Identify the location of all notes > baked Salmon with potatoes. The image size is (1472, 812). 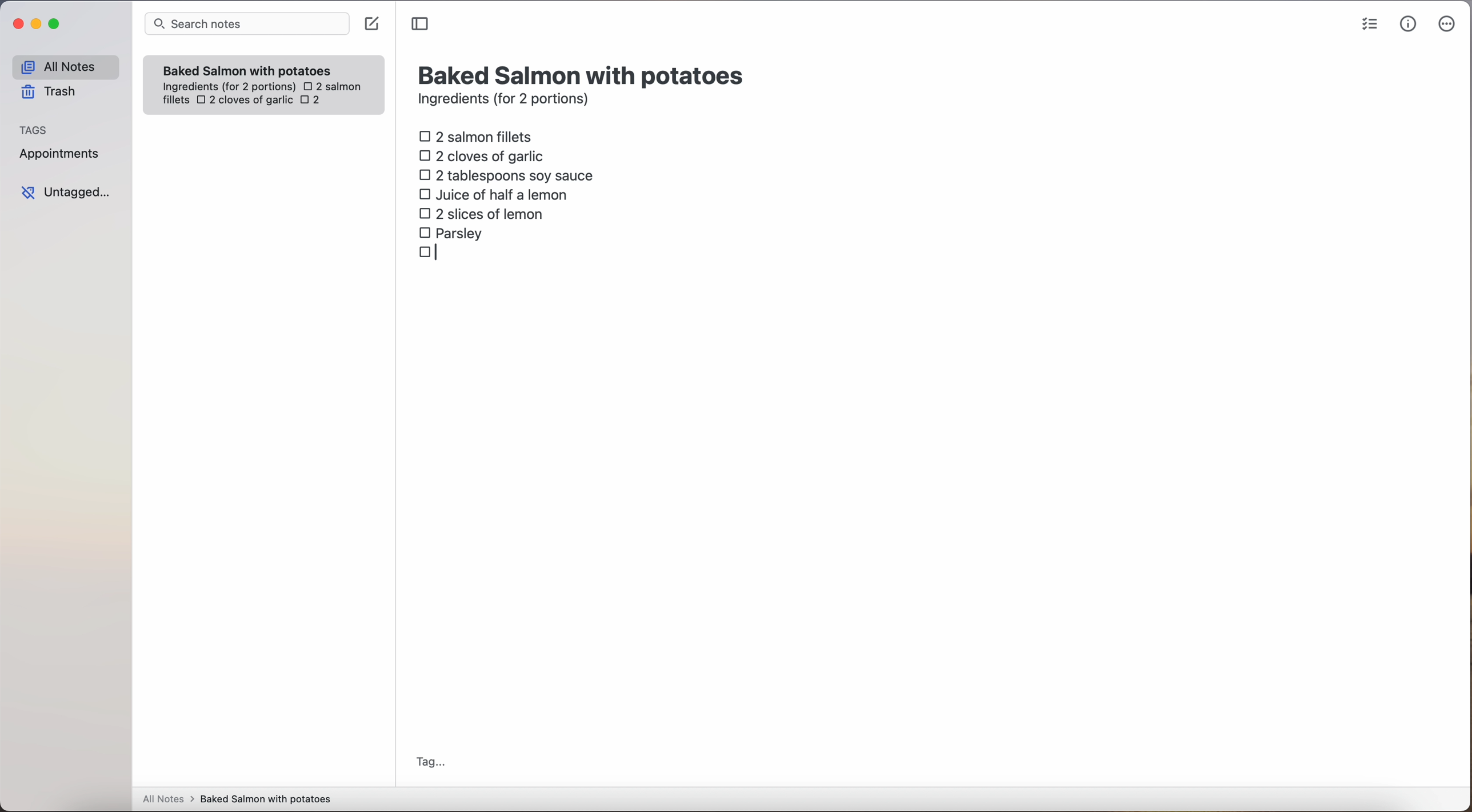
(237, 798).